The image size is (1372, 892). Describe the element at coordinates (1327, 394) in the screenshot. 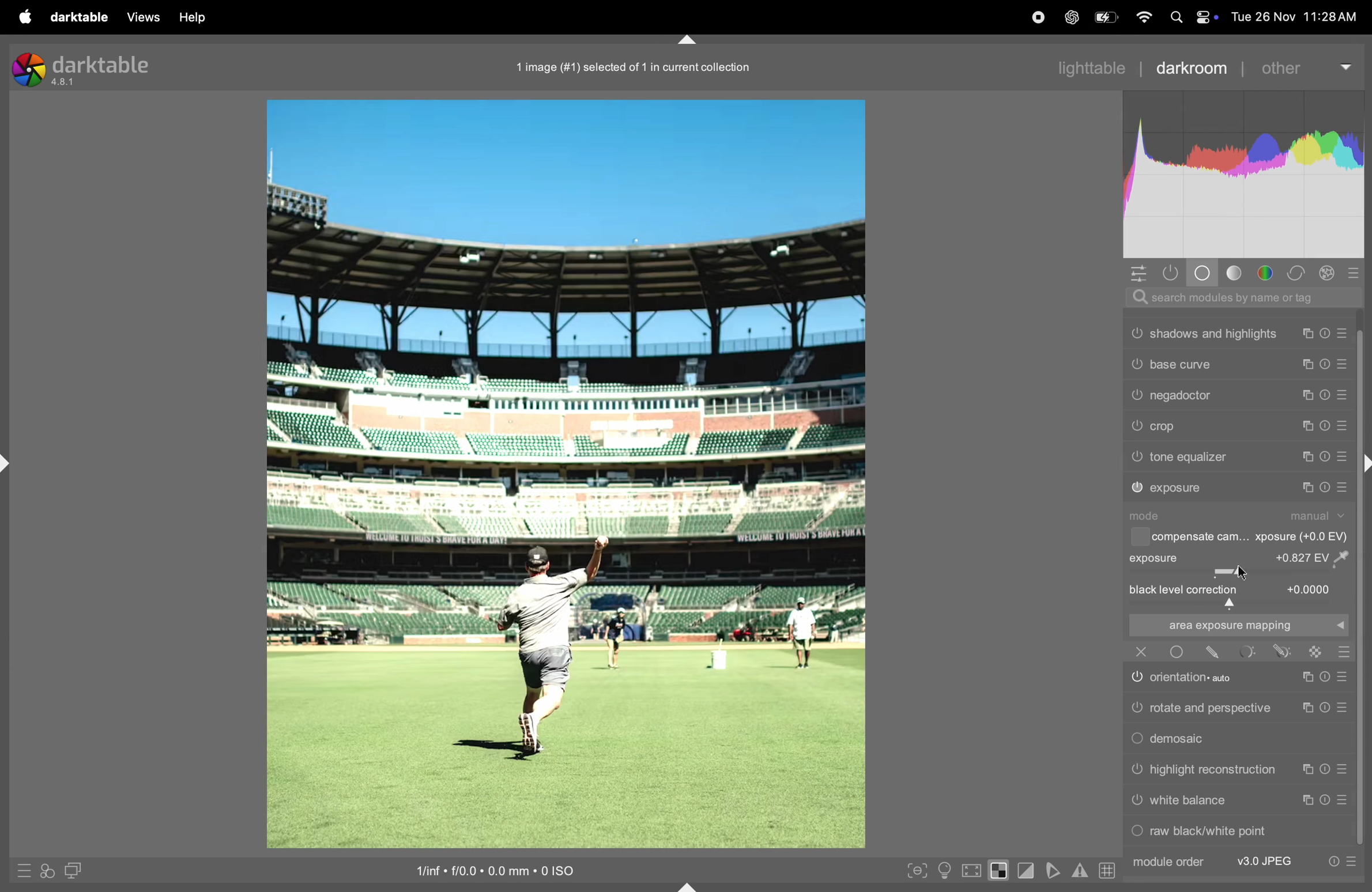

I see `reset presets` at that location.